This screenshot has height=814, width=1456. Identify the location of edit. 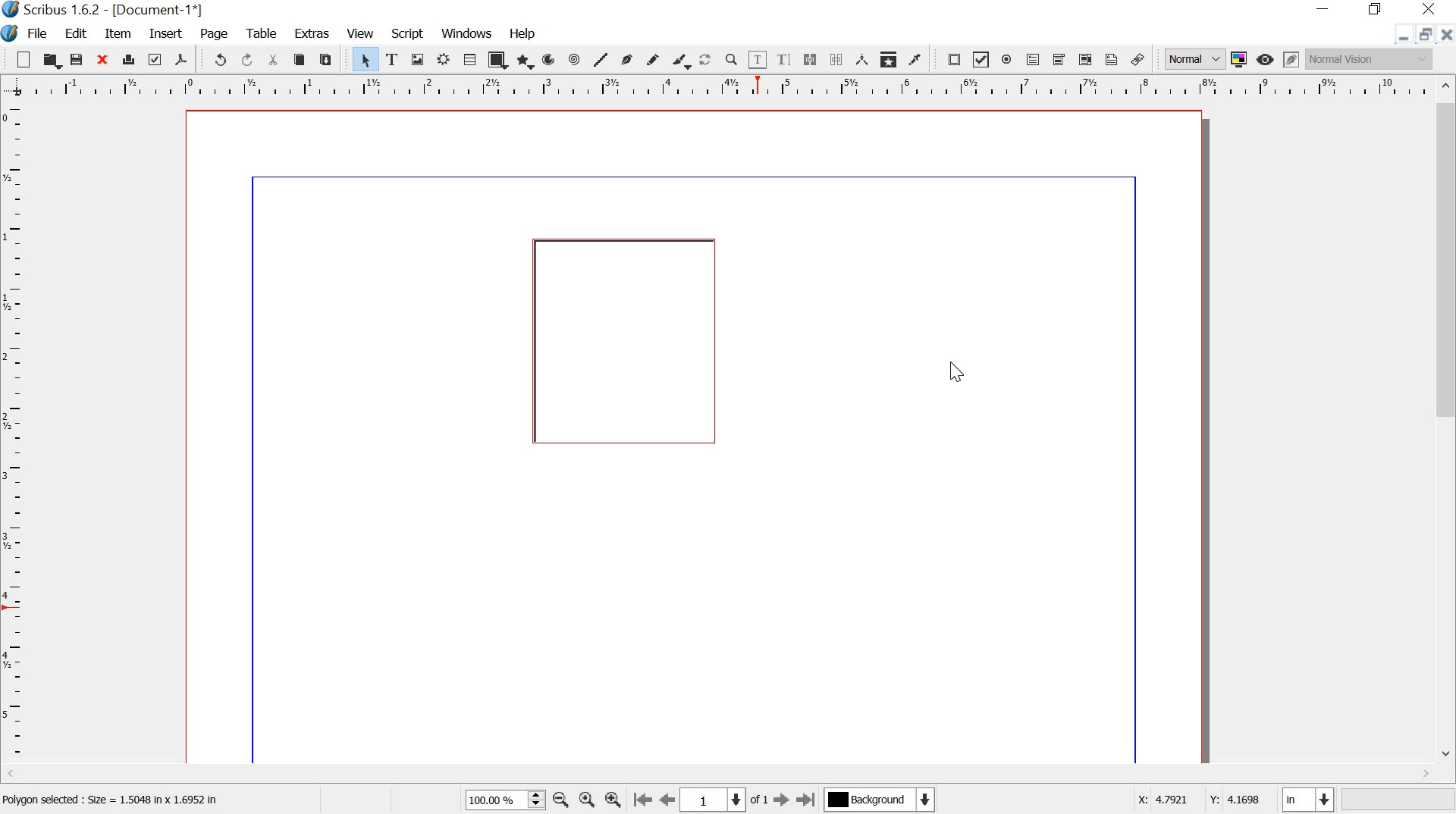
(76, 33).